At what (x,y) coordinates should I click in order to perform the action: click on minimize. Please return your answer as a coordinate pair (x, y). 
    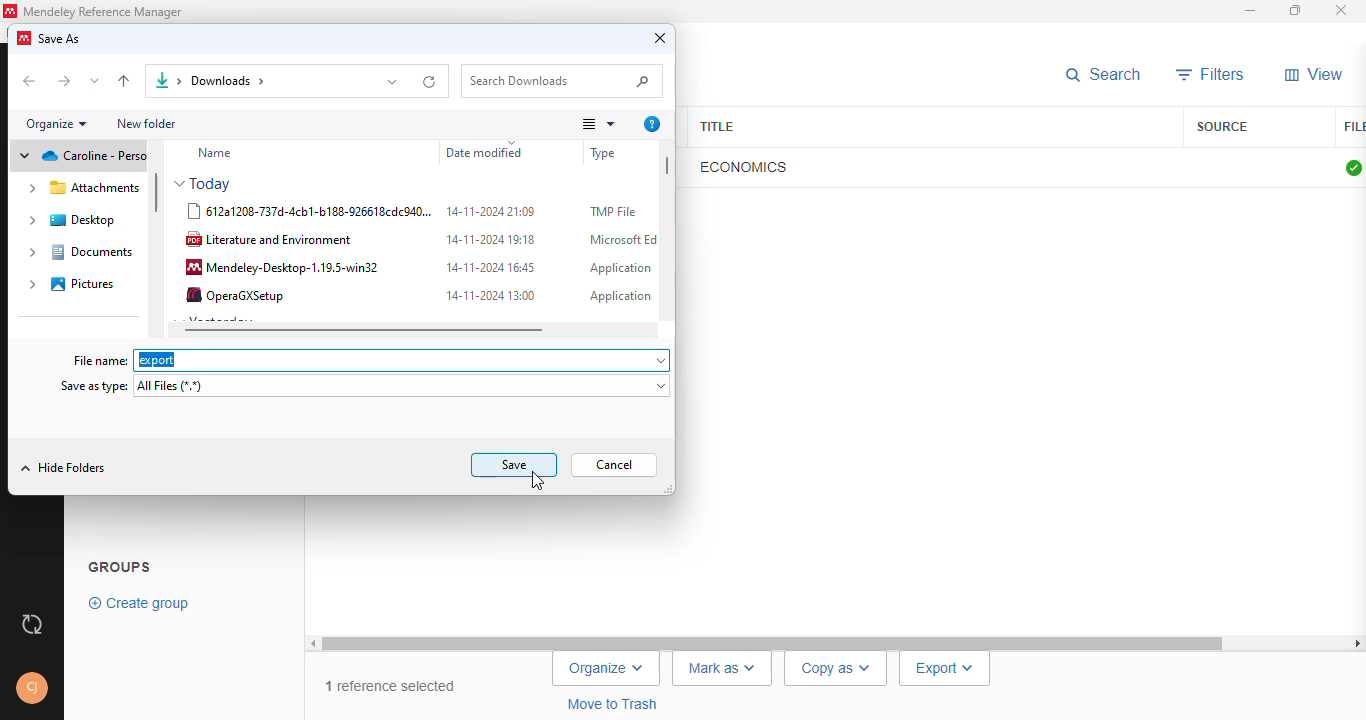
    Looking at the image, I should click on (1250, 11).